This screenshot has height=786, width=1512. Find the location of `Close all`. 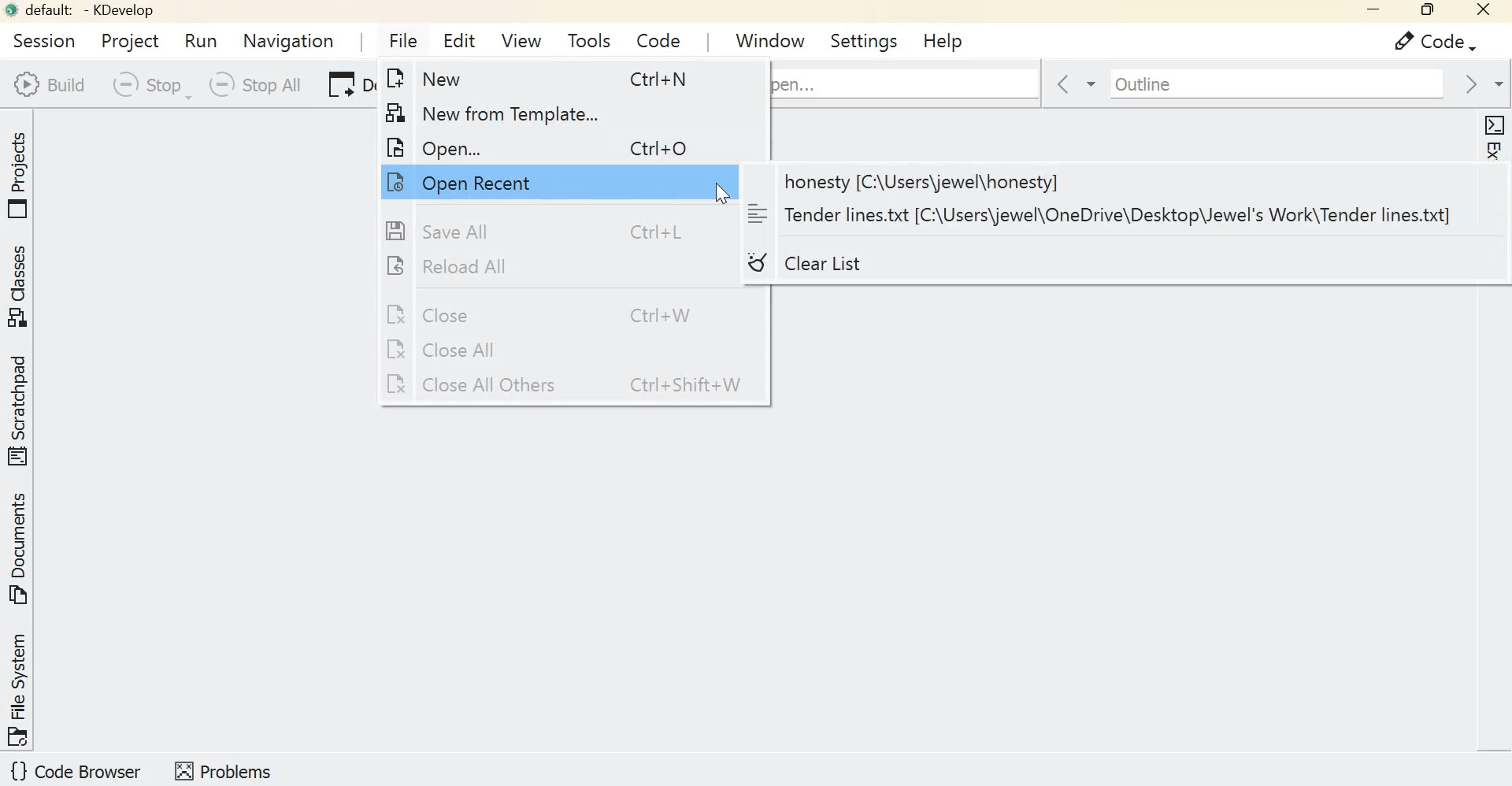

Close all is located at coordinates (547, 350).